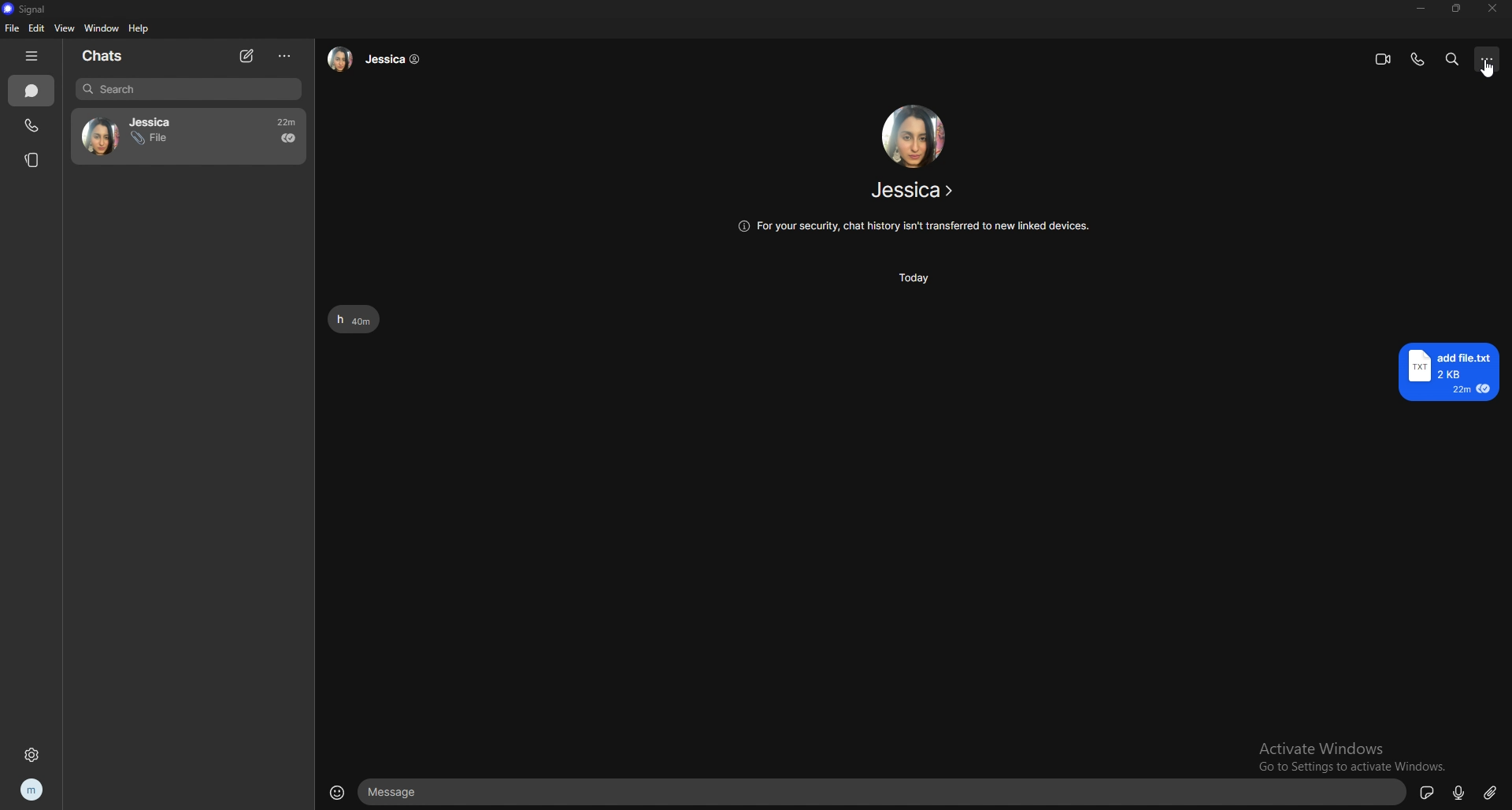  Describe the element at coordinates (886, 793) in the screenshot. I see `text input` at that location.